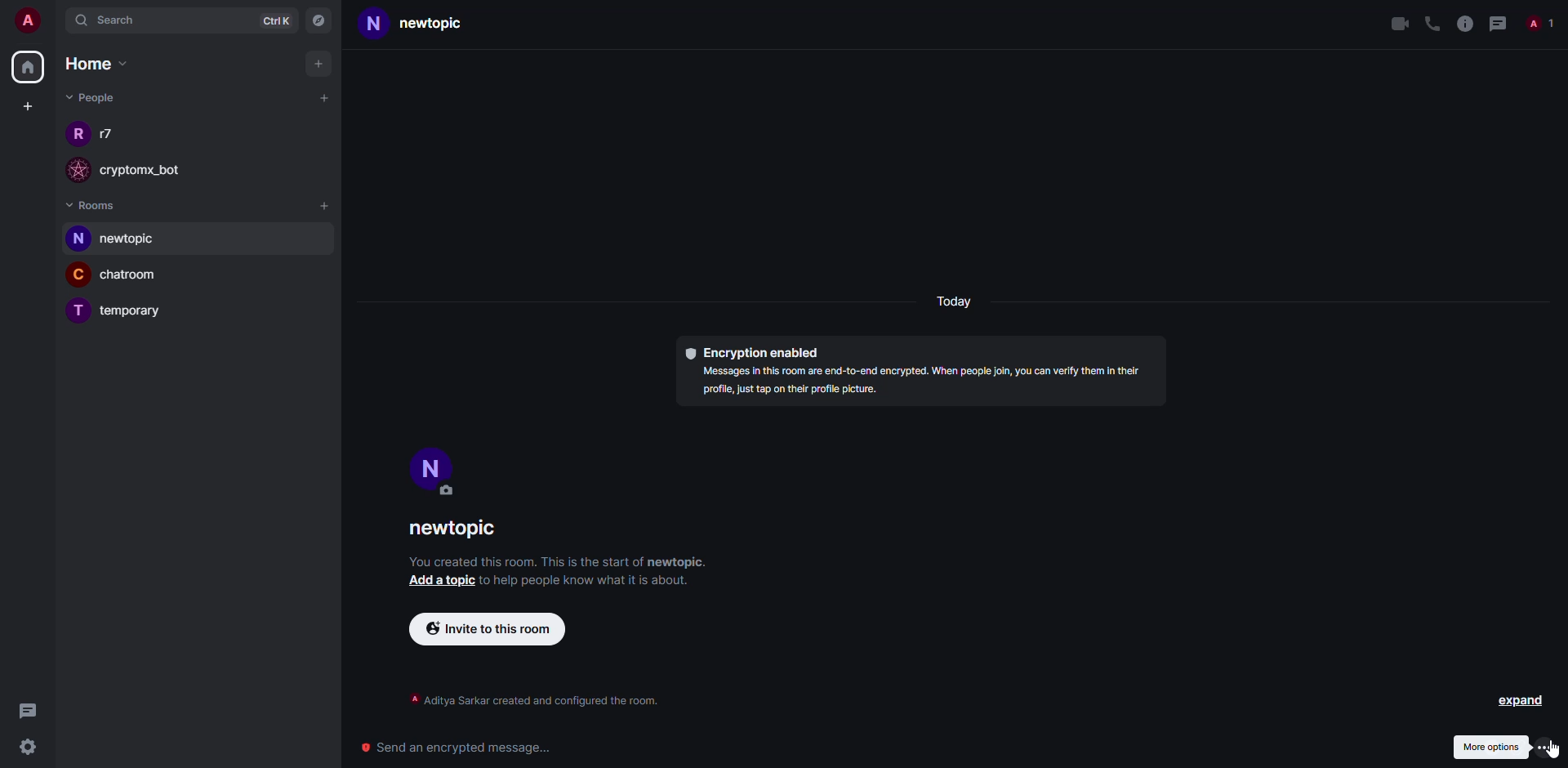 The image size is (1568, 768). What do you see at coordinates (445, 25) in the screenshot?
I see `room` at bounding box center [445, 25].